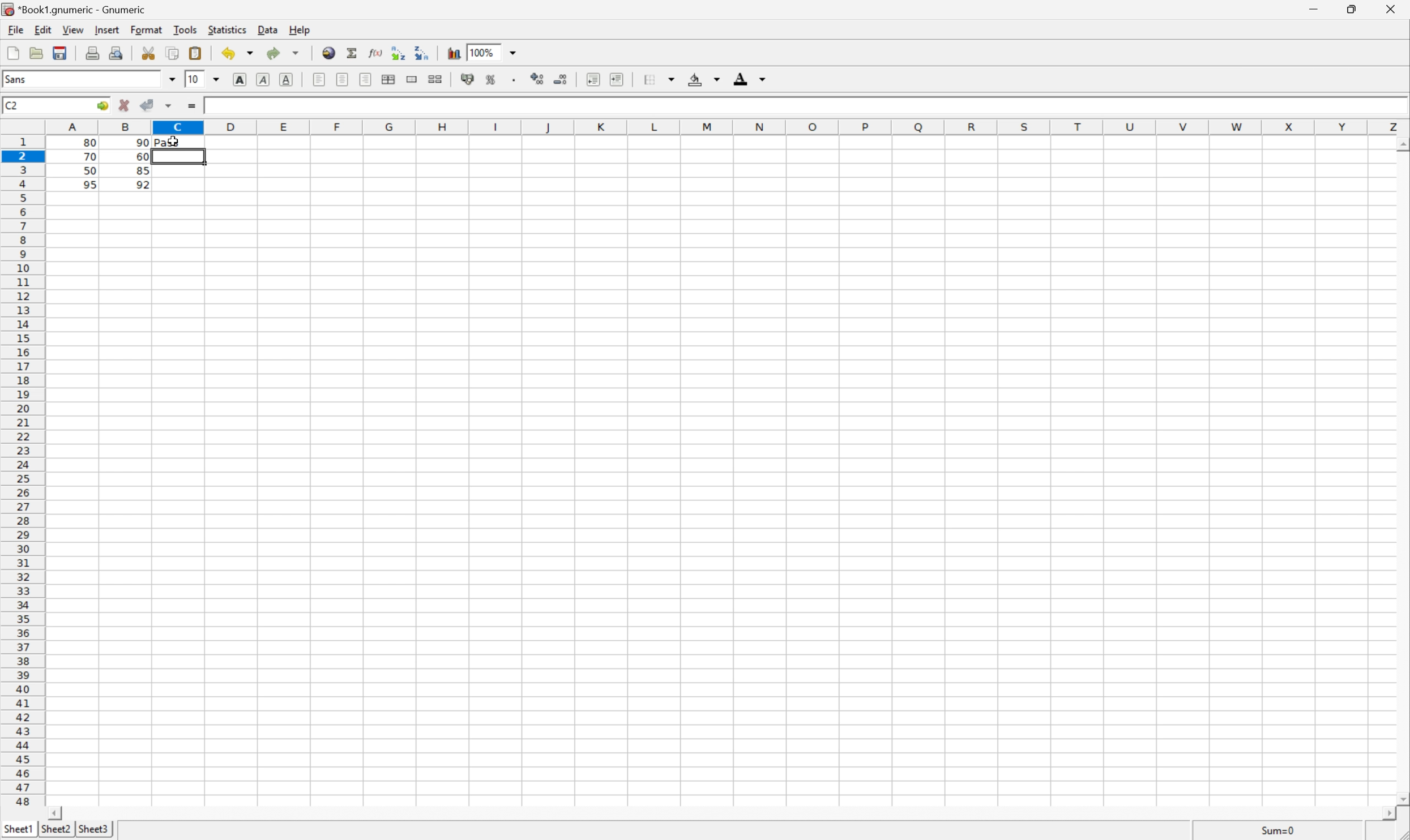 The height and width of the screenshot is (840, 1410). What do you see at coordinates (228, 54) in the screenshot?
I see `Undo` at bounding box center [228, 54].